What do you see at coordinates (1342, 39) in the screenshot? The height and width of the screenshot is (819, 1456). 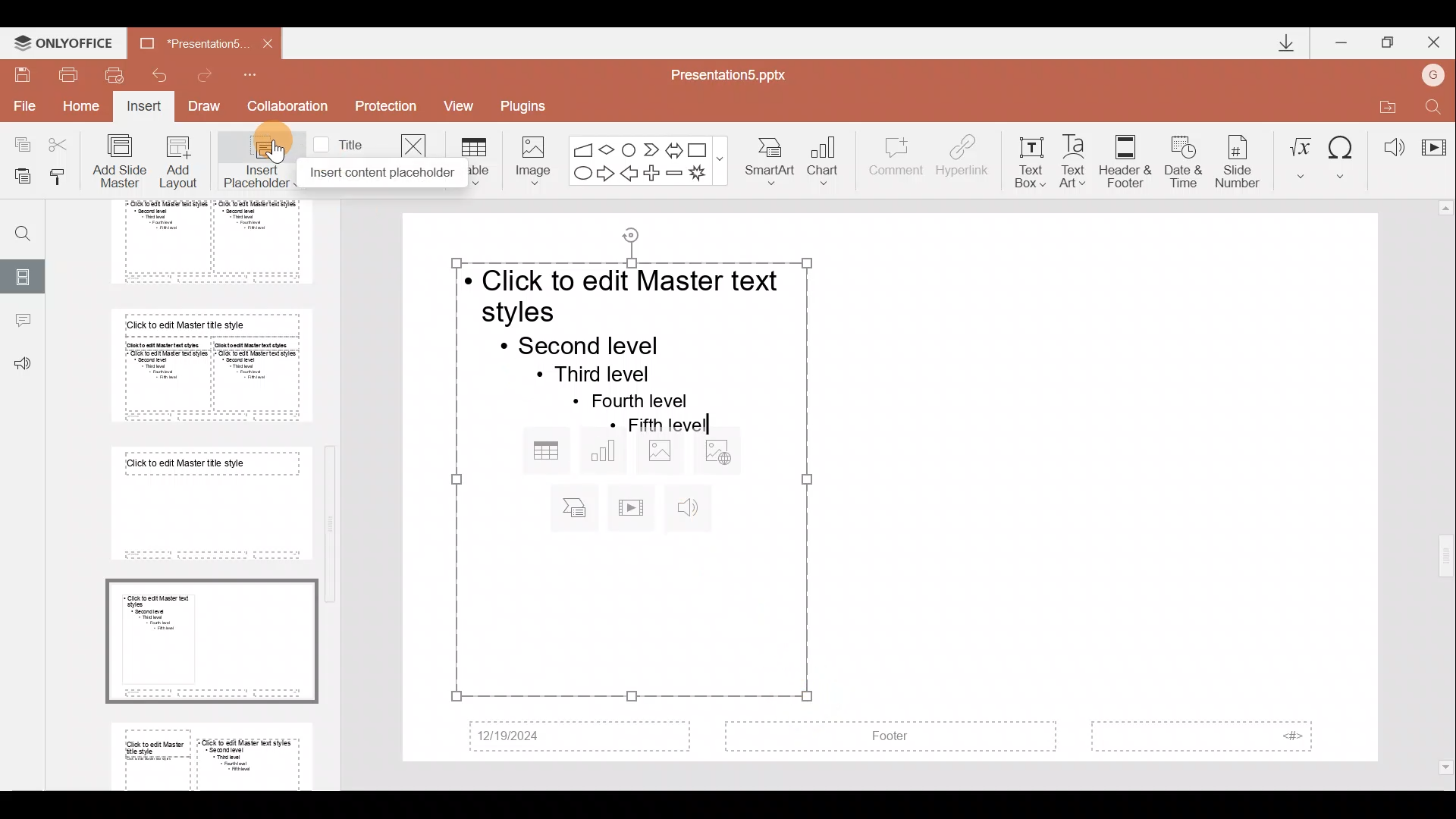 I see `Minimize` at bounding box center [1342, 39].